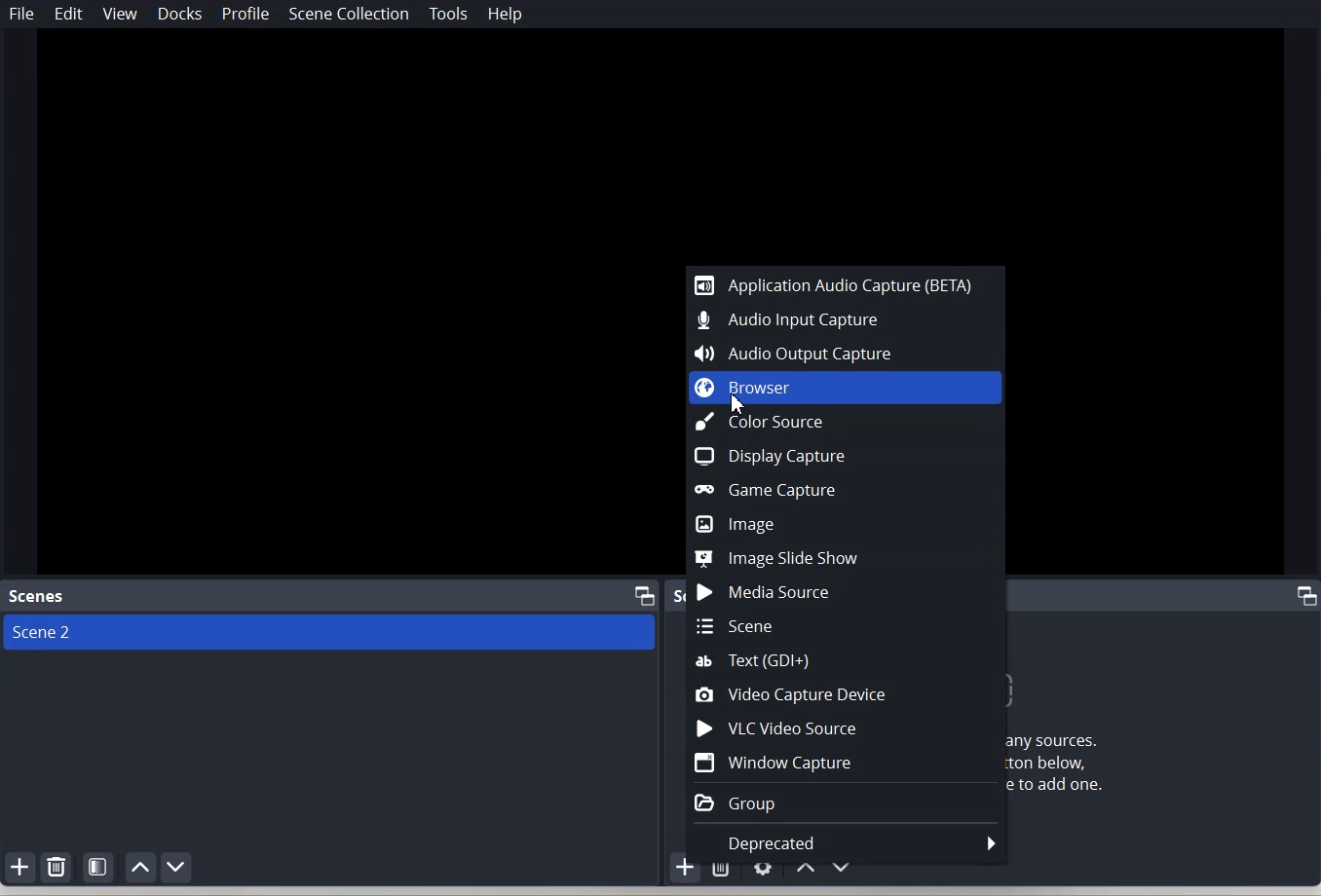 The height and width of the screenshot is (896, 1321). I want to click on Scene 2, so click(332, 633).